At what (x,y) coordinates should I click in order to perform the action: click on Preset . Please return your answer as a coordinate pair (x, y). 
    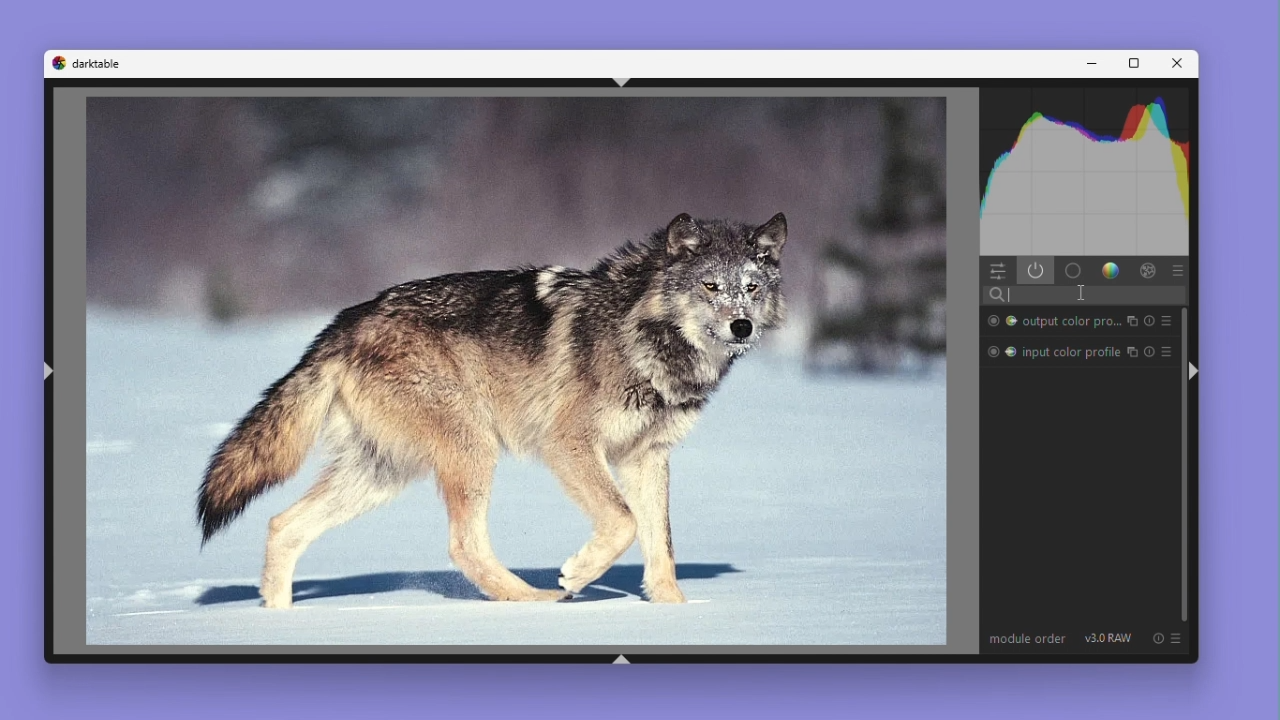
    Looking at the image, I should click on (1180, 270).